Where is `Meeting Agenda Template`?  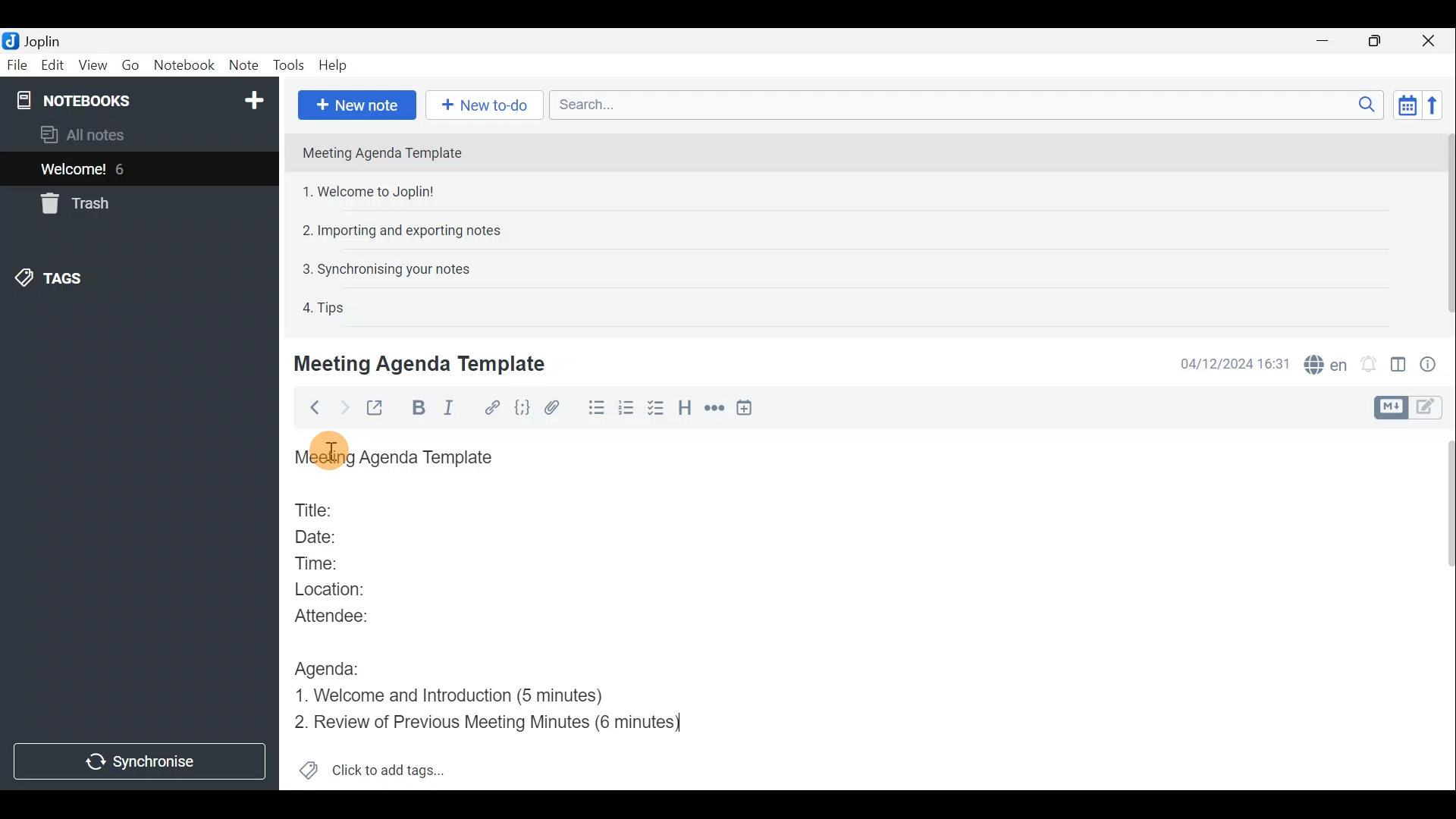 Meeting Agenda Template is located at coordinates (384, 152).